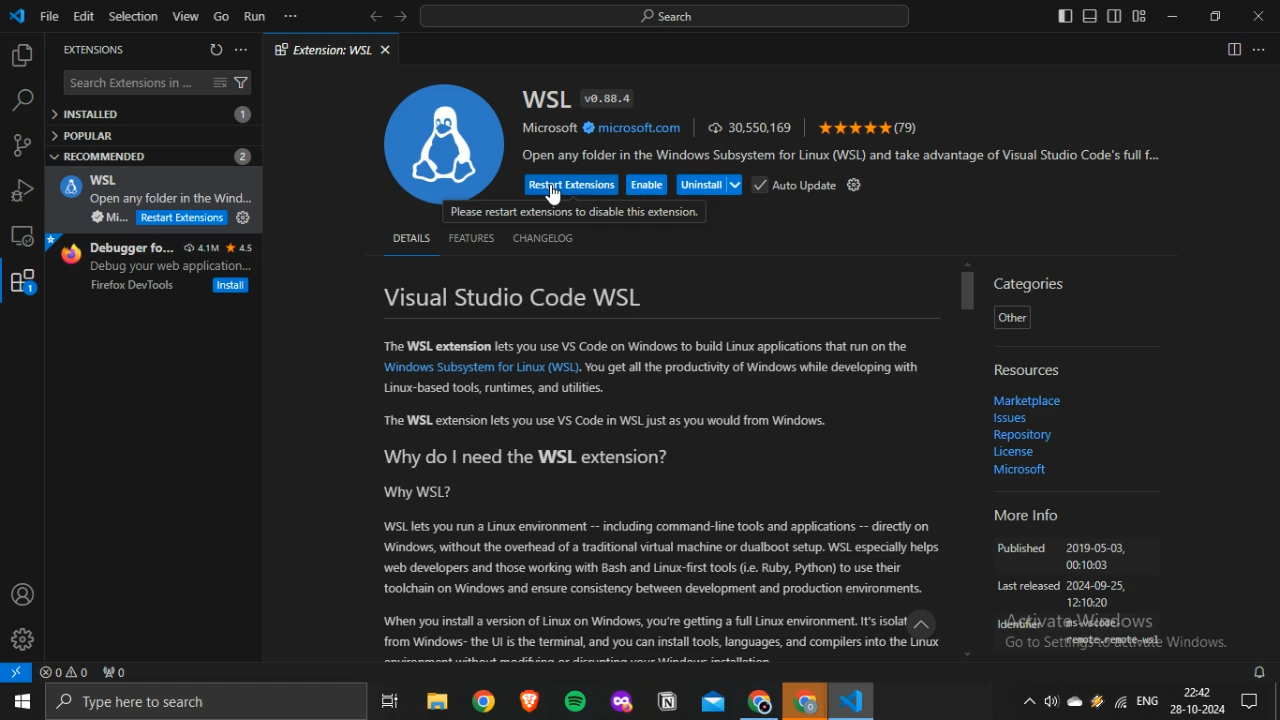  What do you see at coordinates (869, 127) in the screenshot?
I see `(79)` at bounding box center [869, 127].